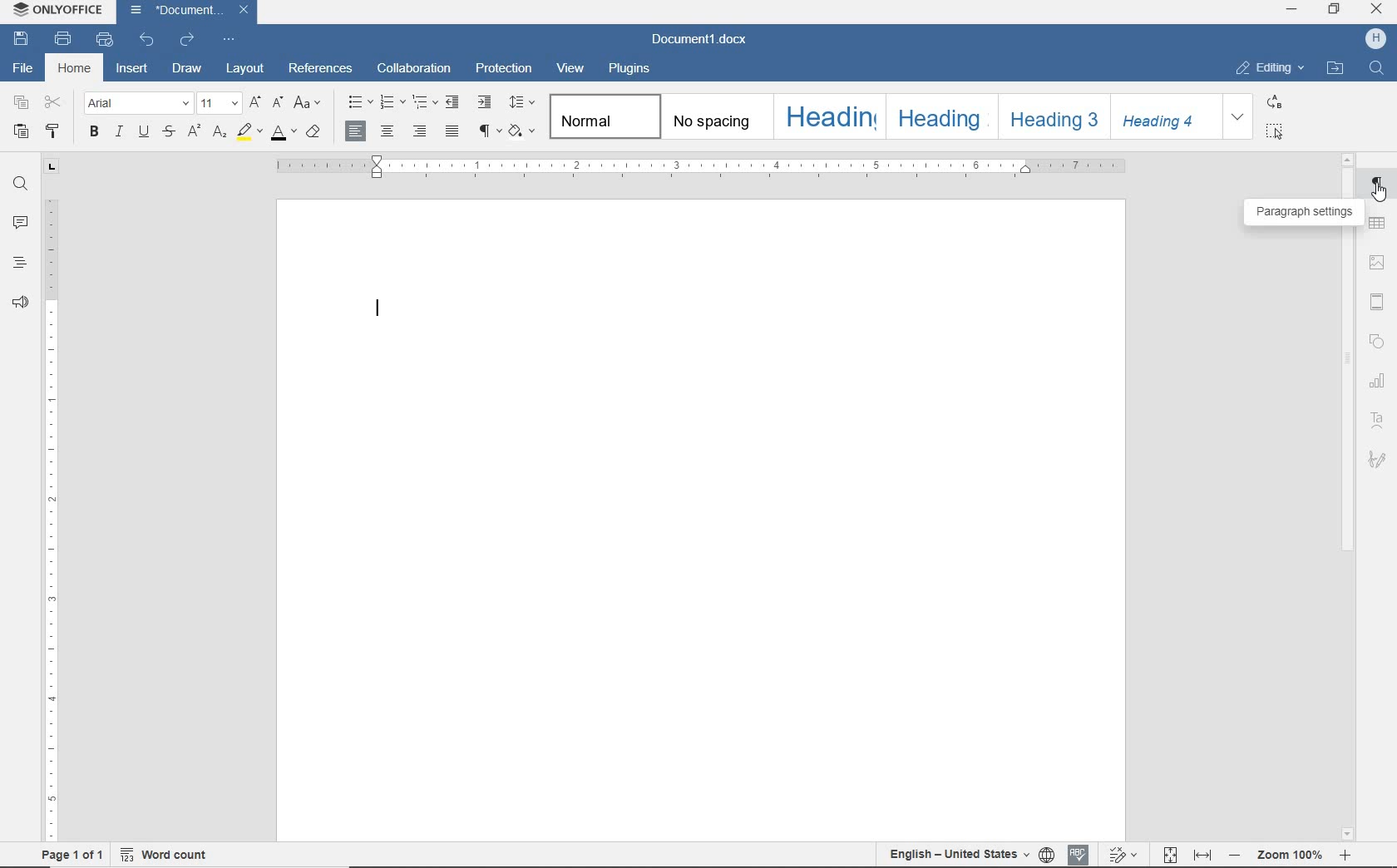 The height and width of the screenshot is (868, 1397). What do you see at coordinates (1275, 131) in the screenshot?
I see `SELECT ALL` at bounding box center [1275, 131].